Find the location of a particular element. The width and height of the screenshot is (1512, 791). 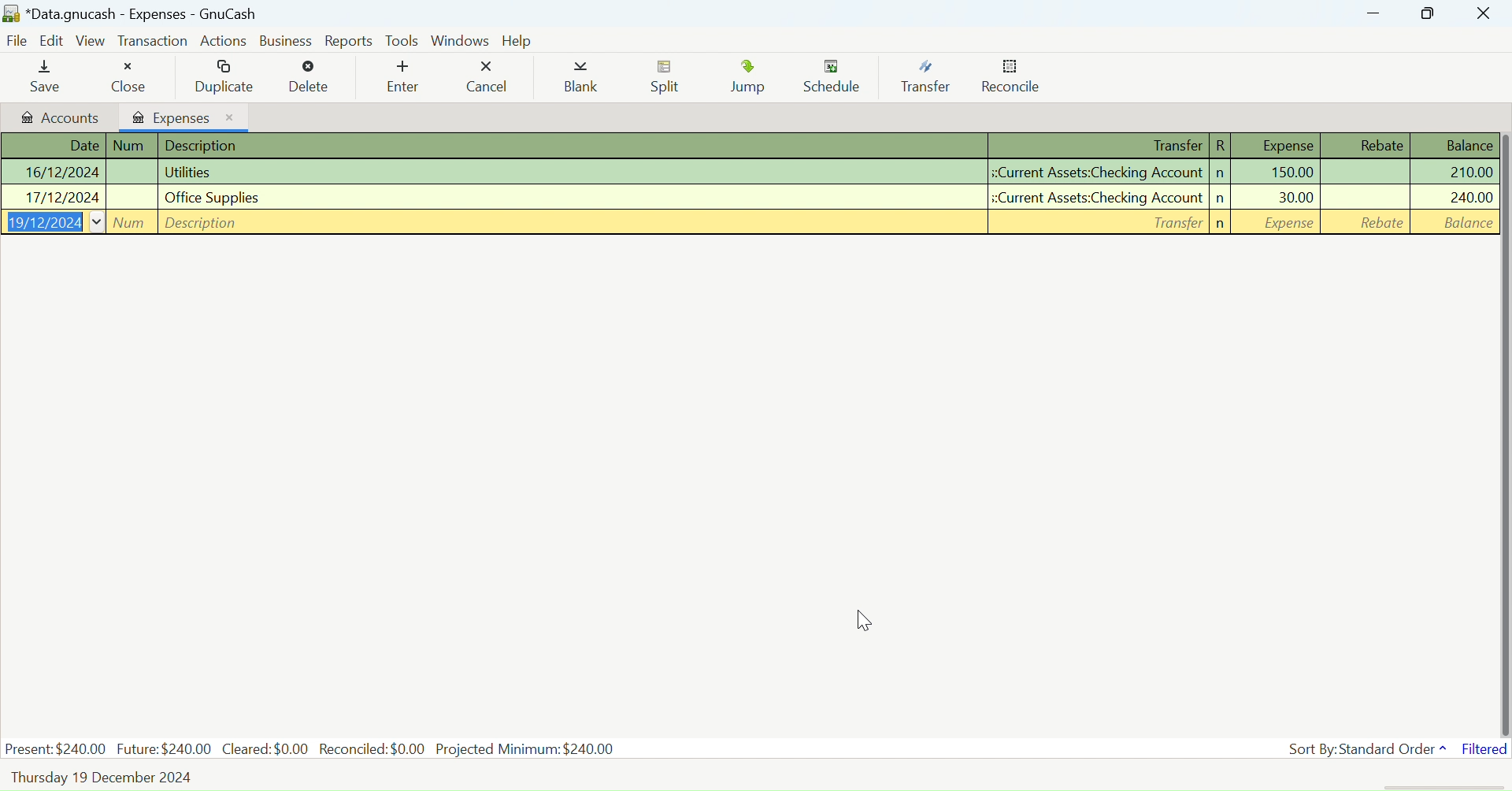

Office Supplies Transaction is located at coordinates (750, 197).